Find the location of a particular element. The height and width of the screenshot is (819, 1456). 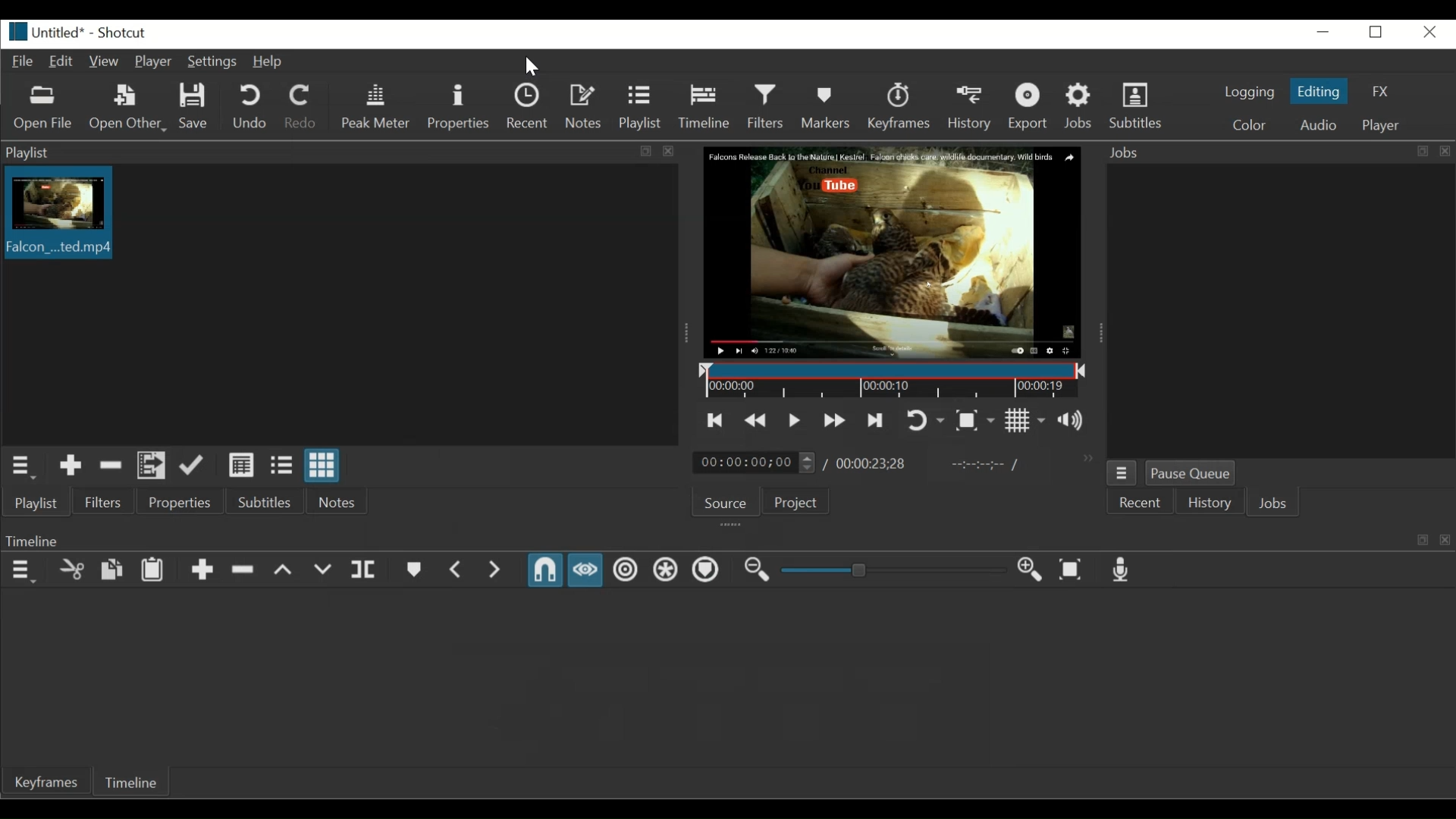

Timeline is located at coordinates (726, 538).